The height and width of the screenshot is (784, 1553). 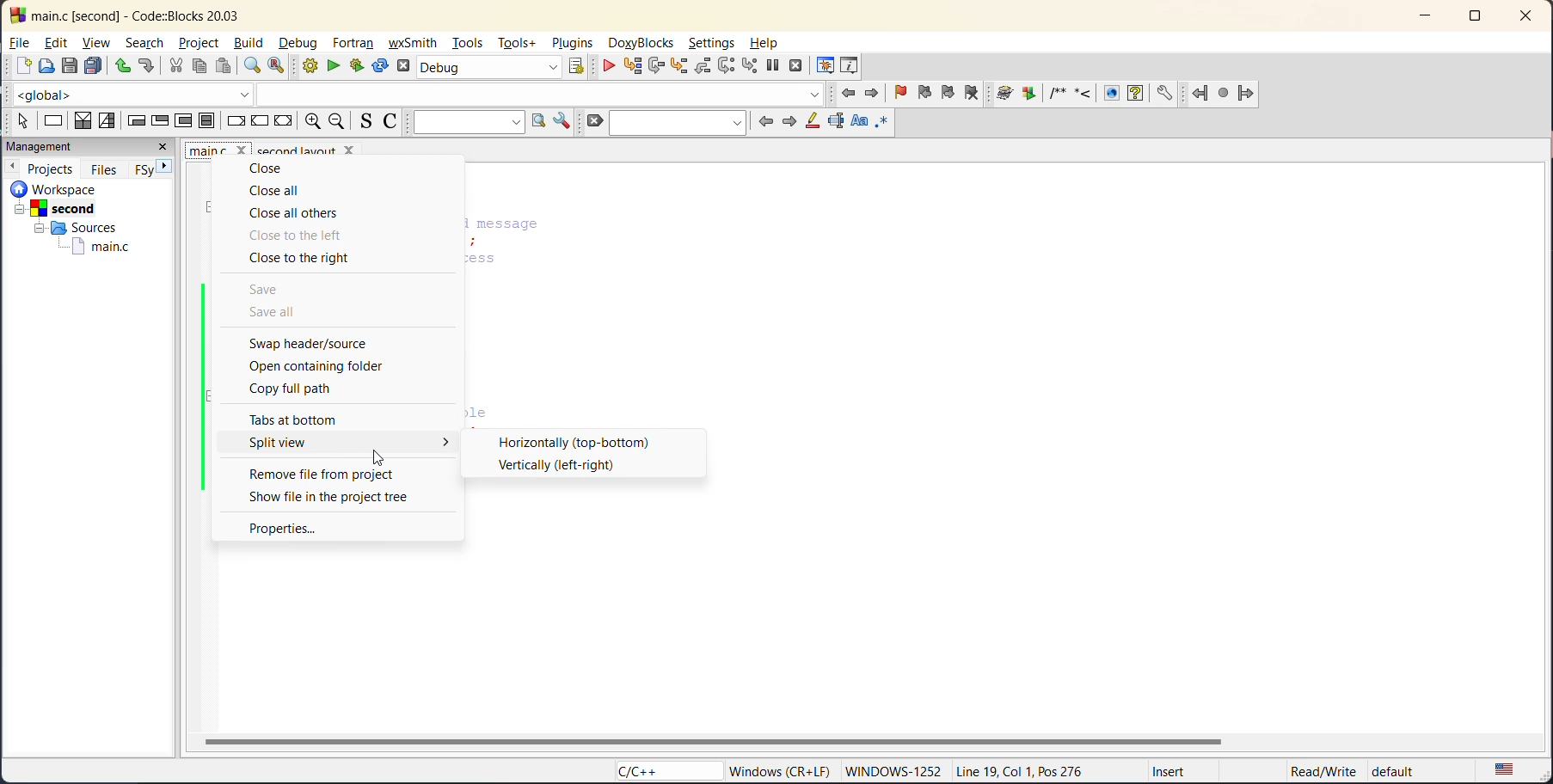 I want to click on language, so click(x=654, y=770).